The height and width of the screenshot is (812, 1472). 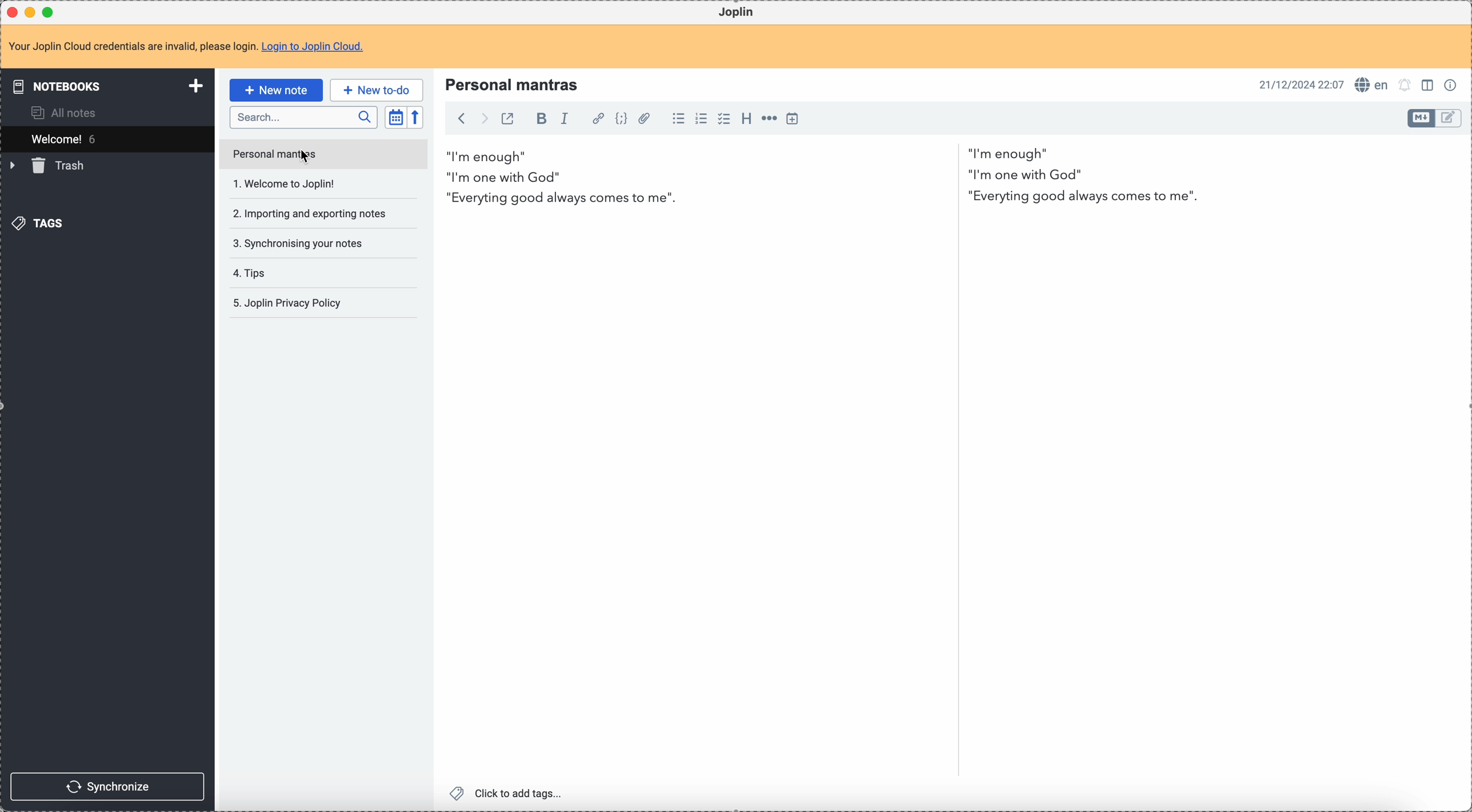 What do you see at coordinates (109, 787) in the screenshot?
I see `synchronize` at bounding box center [109, 787].